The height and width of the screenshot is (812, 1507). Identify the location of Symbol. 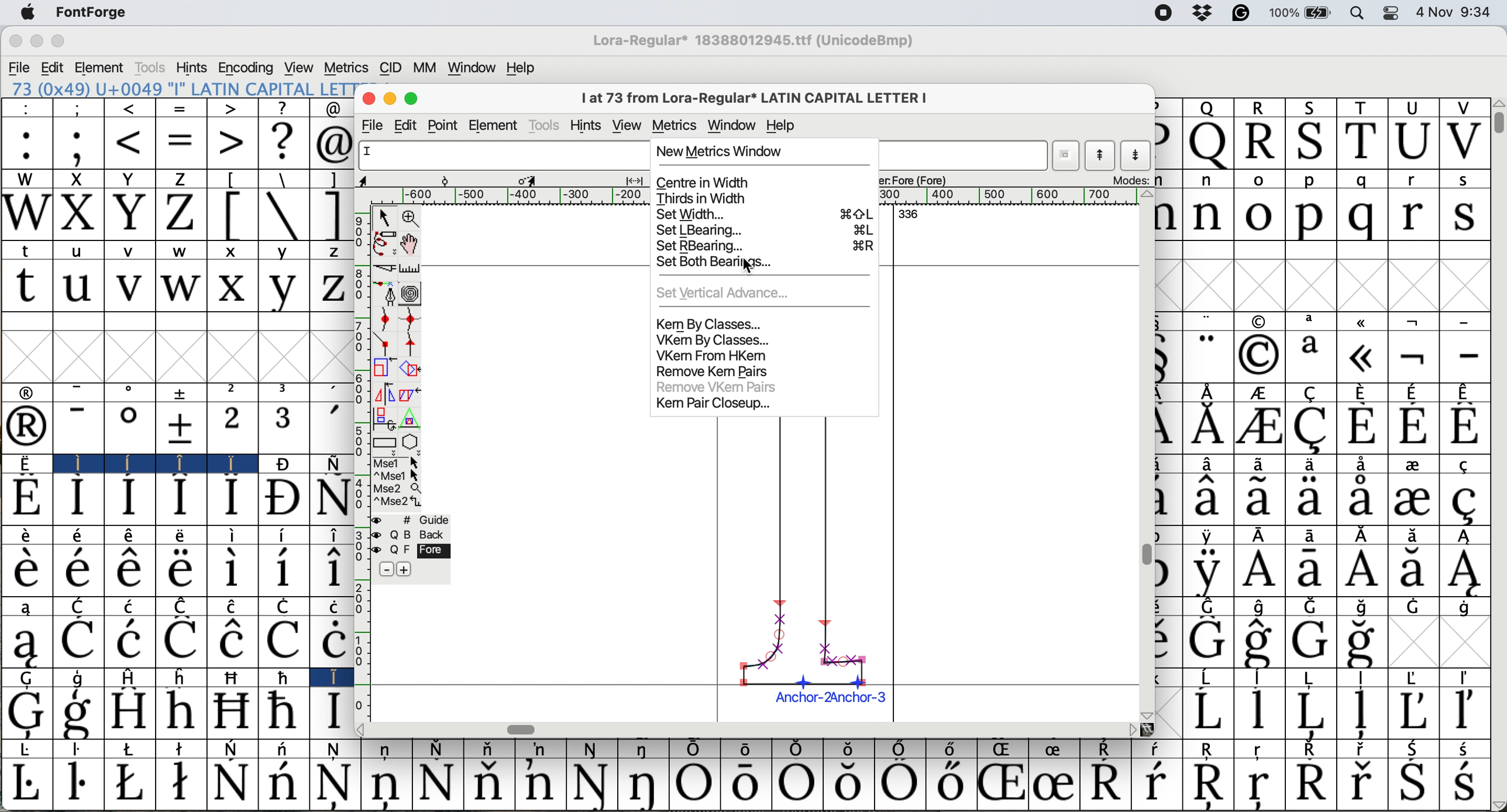
(339, 750).